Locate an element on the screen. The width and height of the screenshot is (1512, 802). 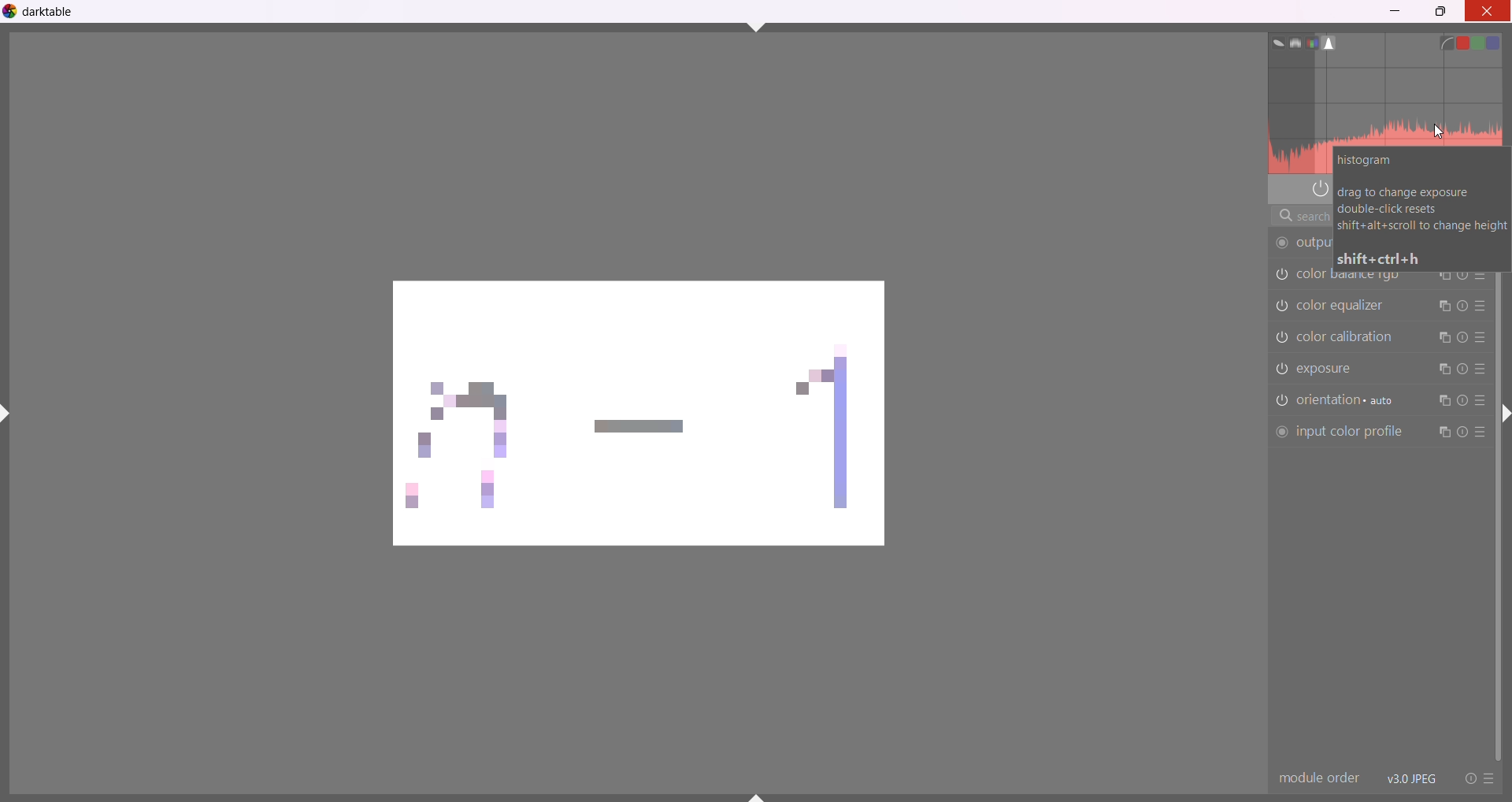
rgb is located at coordinates (1312, 43).